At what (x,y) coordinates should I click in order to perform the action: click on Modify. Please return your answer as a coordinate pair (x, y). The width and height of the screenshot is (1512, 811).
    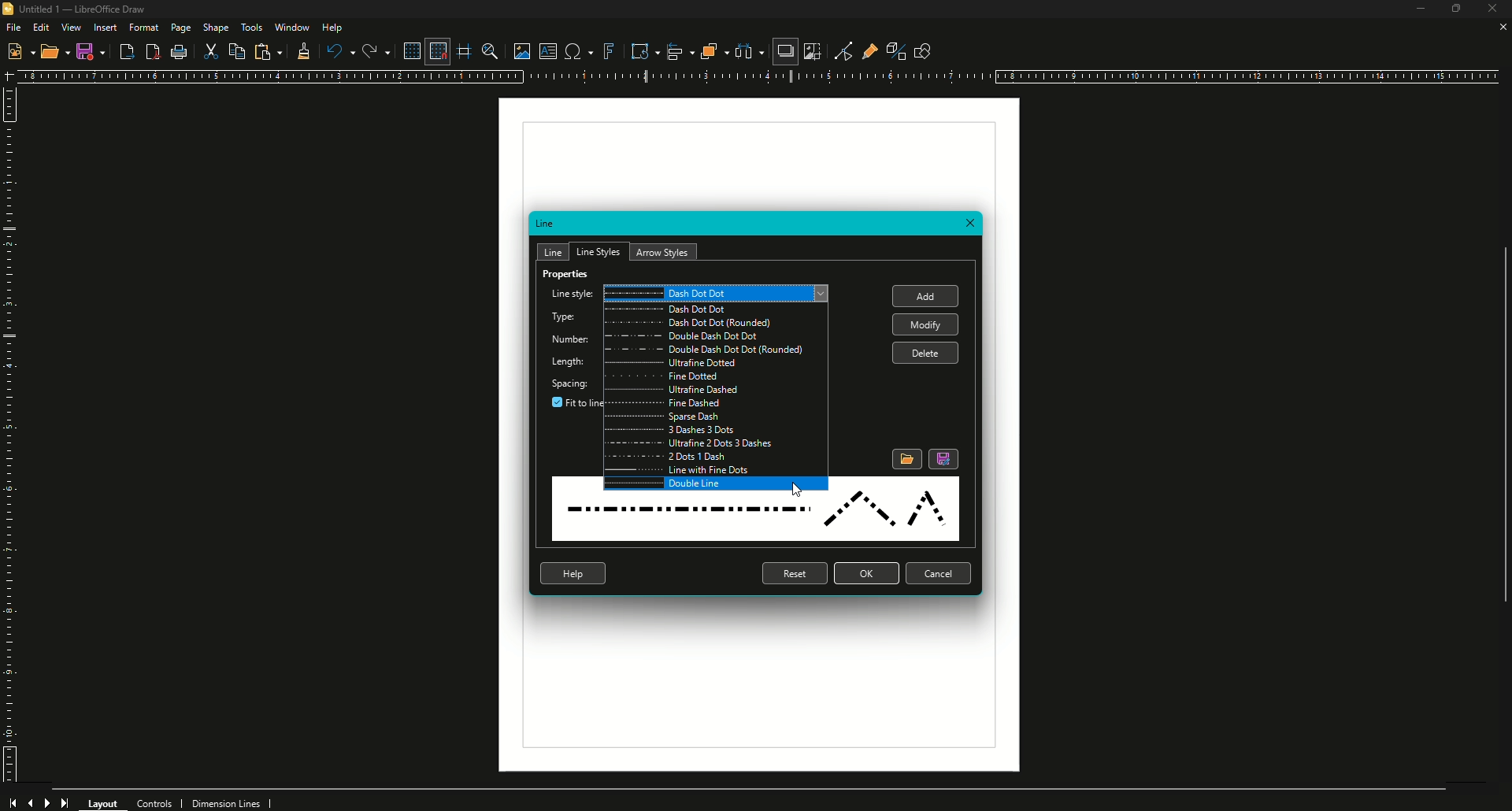
    Looking at the image, I should click on (924, 324).